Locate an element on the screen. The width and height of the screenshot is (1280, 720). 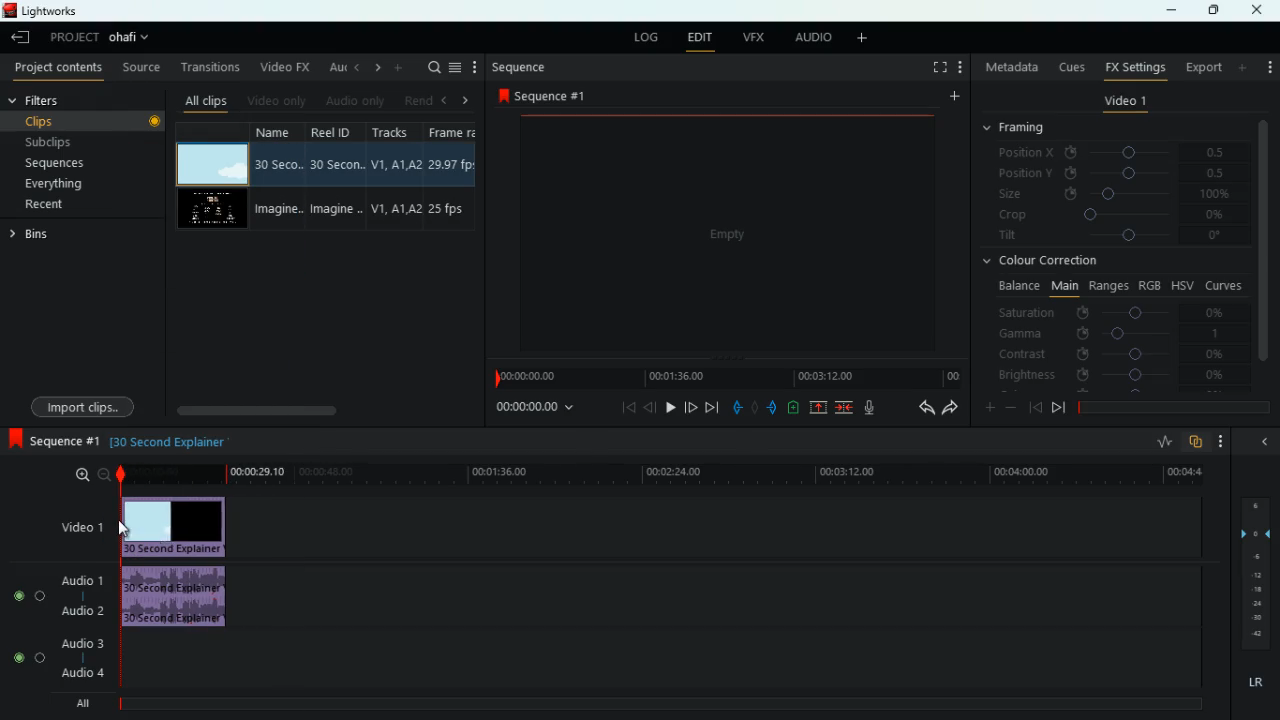
zoom is located at coordinates (91, 475).